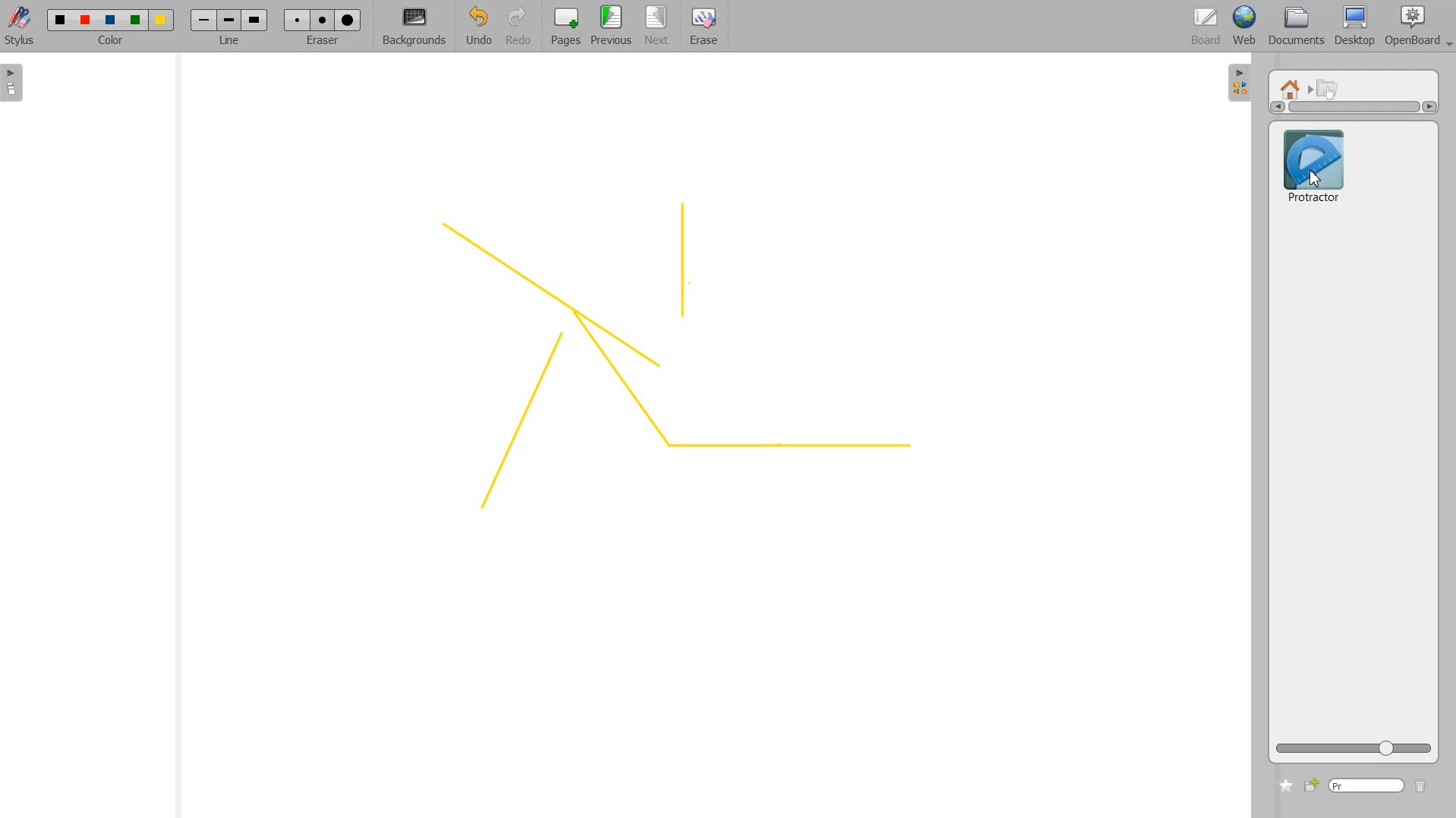  What do you see at coordinates (322, 20) in the screenshot?
I see `Erase` at bounding box center [322, 20].